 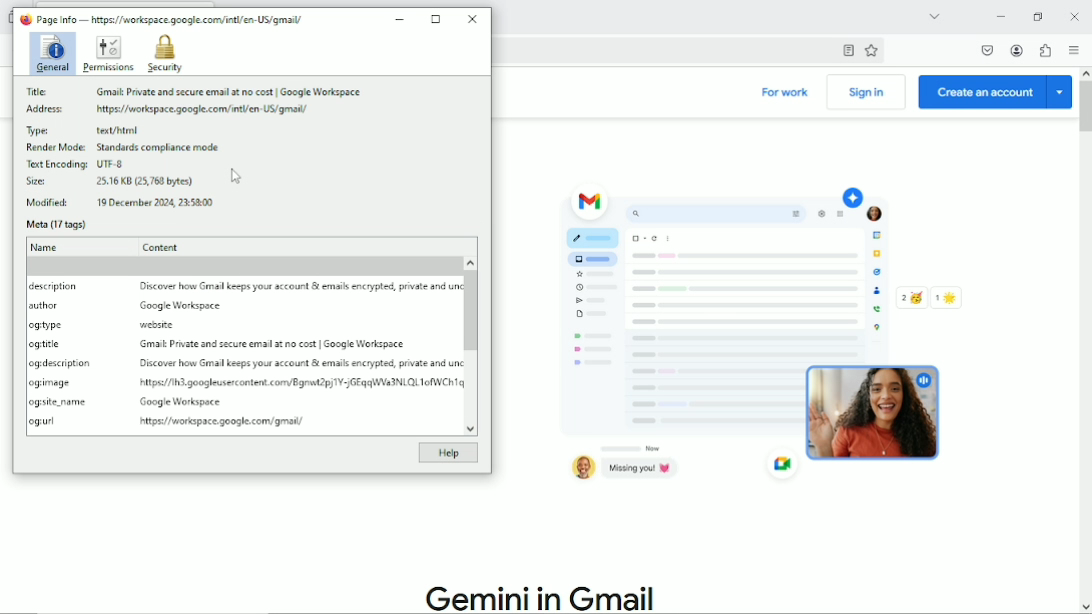 I want to click on Address, so click(x=44, y=110).